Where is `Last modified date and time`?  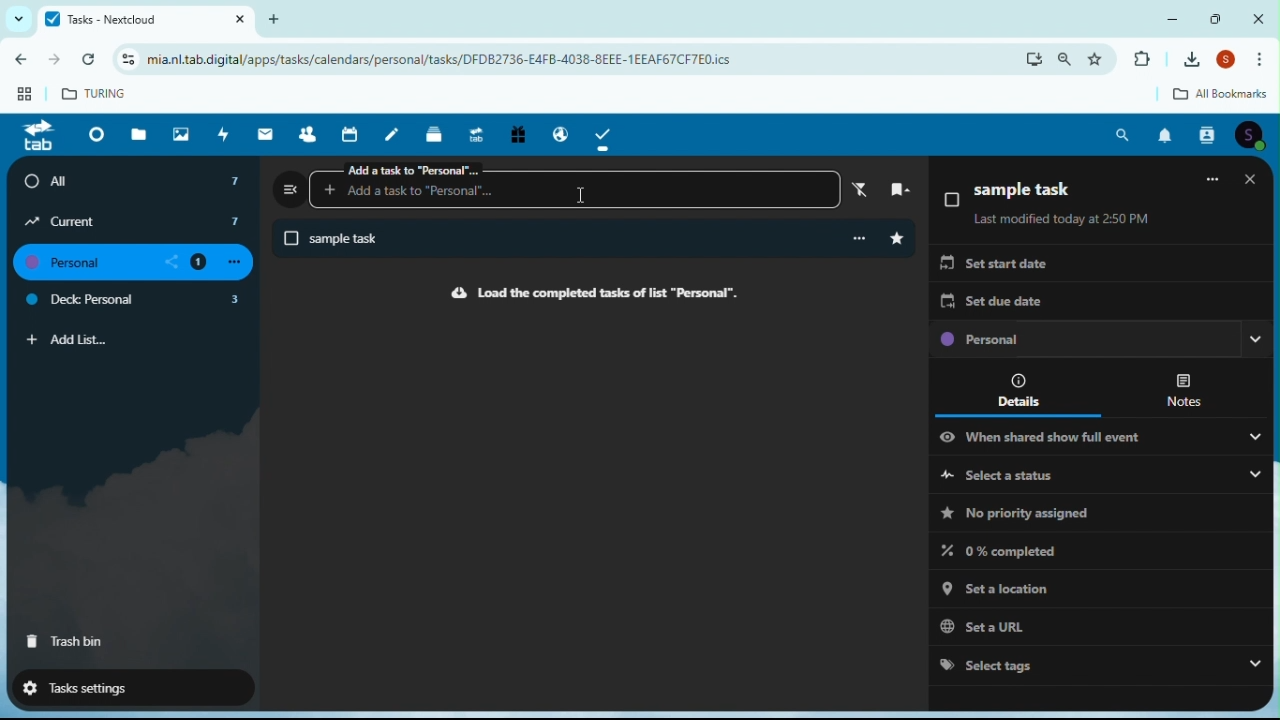 Last modified date and time is located at coordinates (1063, 221).